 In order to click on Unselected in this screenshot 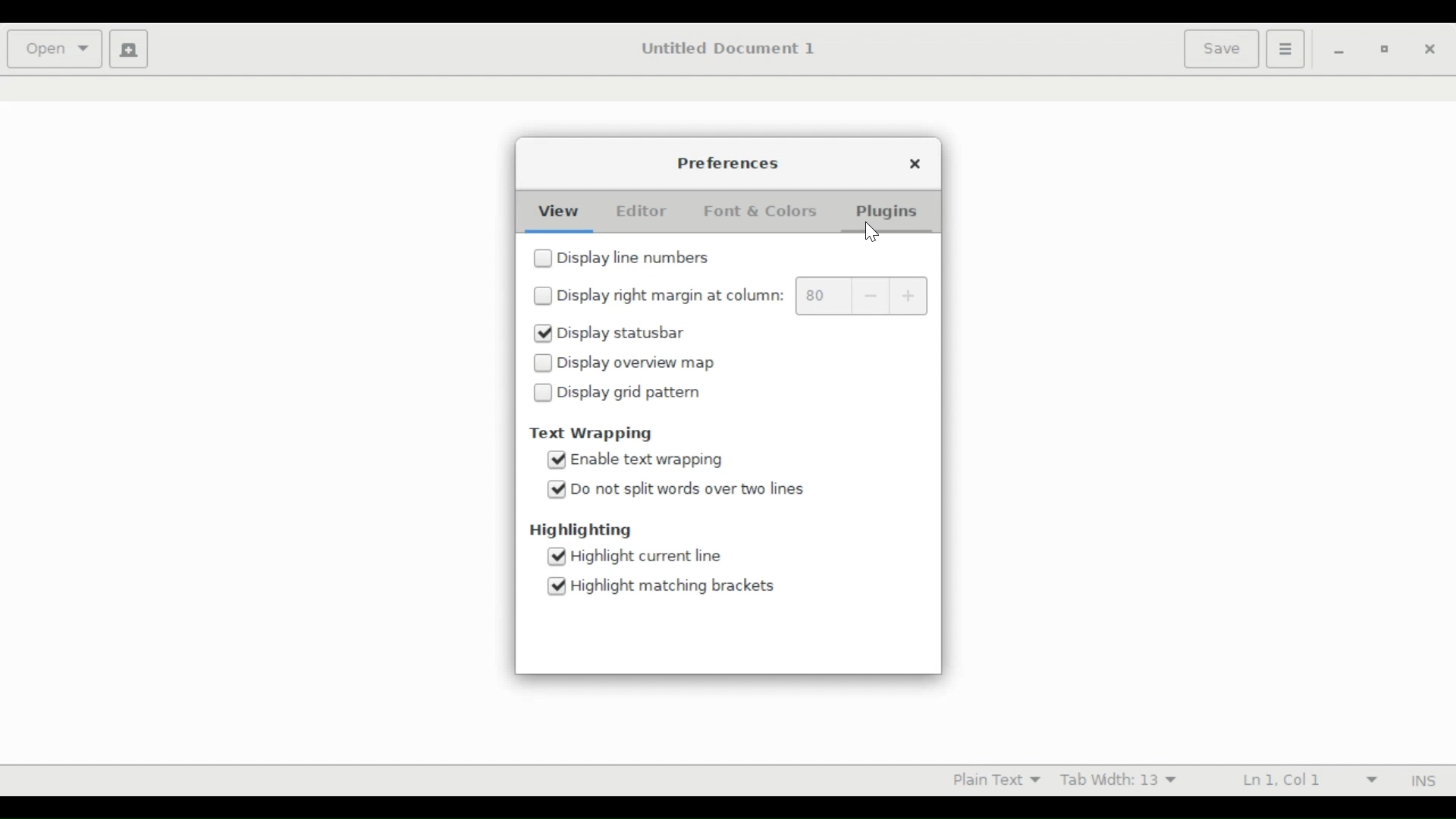, I will do `click(544, 392)`.